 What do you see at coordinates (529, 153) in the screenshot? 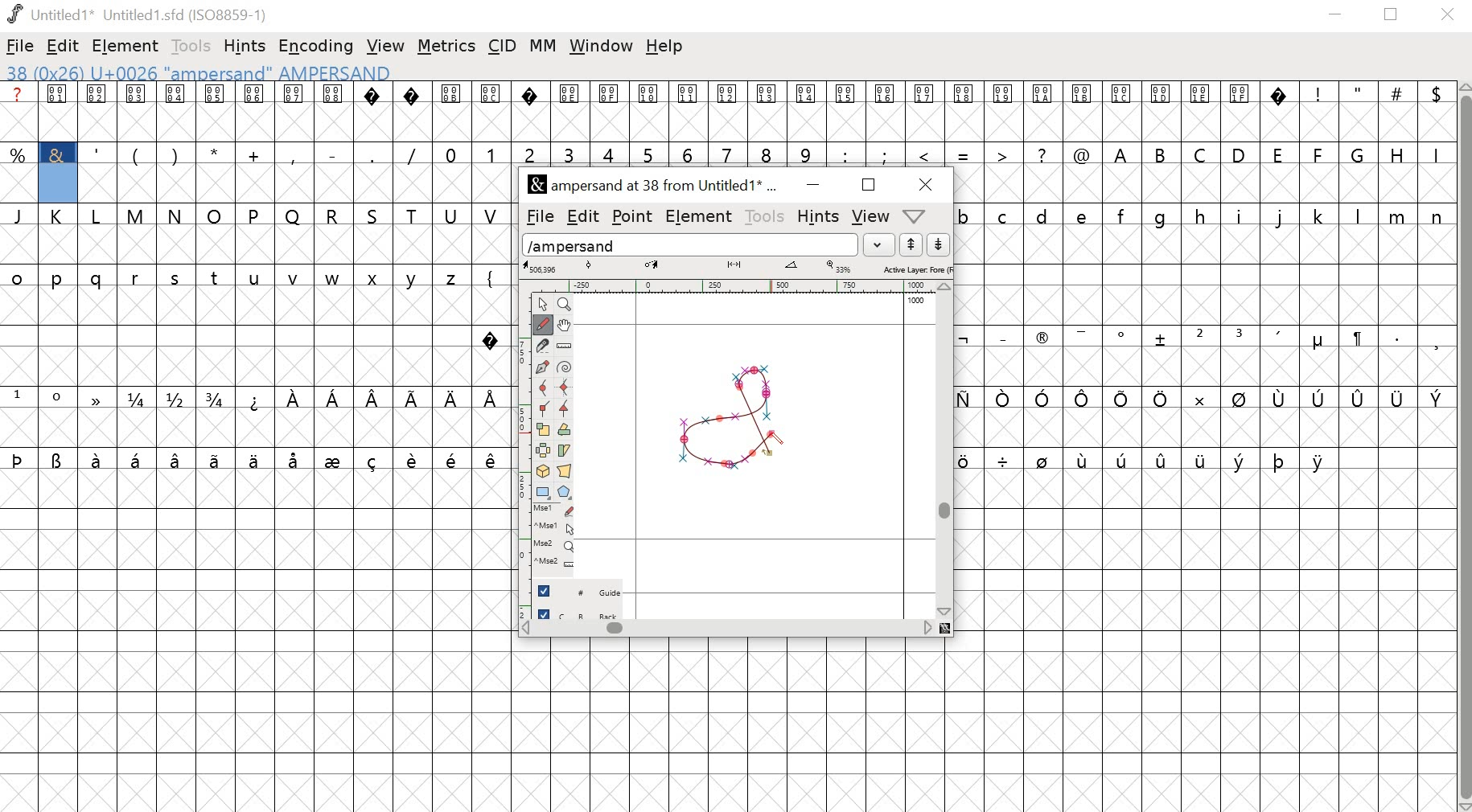
I see `2` at bounding box center [529, 153].